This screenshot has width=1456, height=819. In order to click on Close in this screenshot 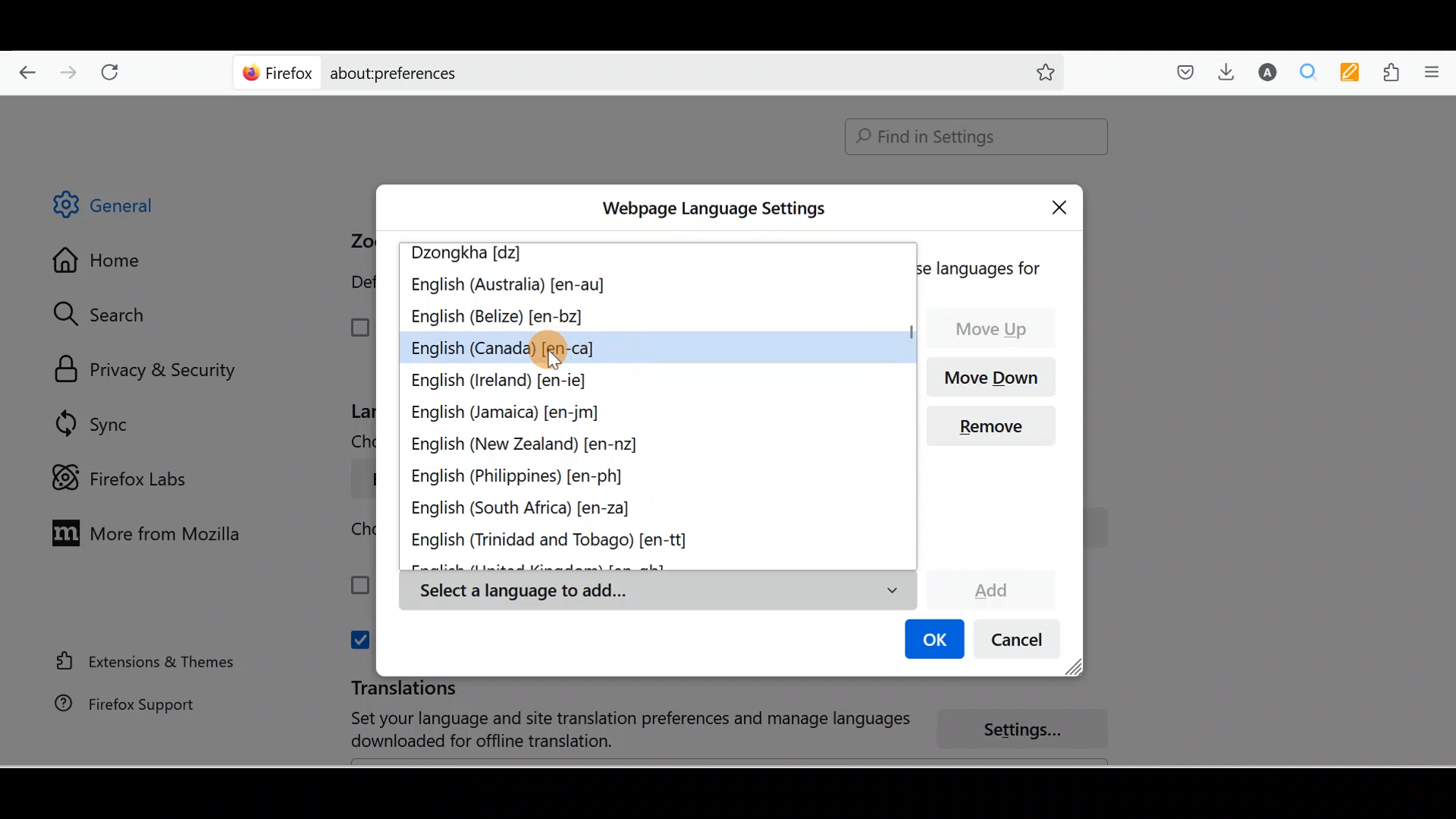, I will do `click(1063, 205)`.